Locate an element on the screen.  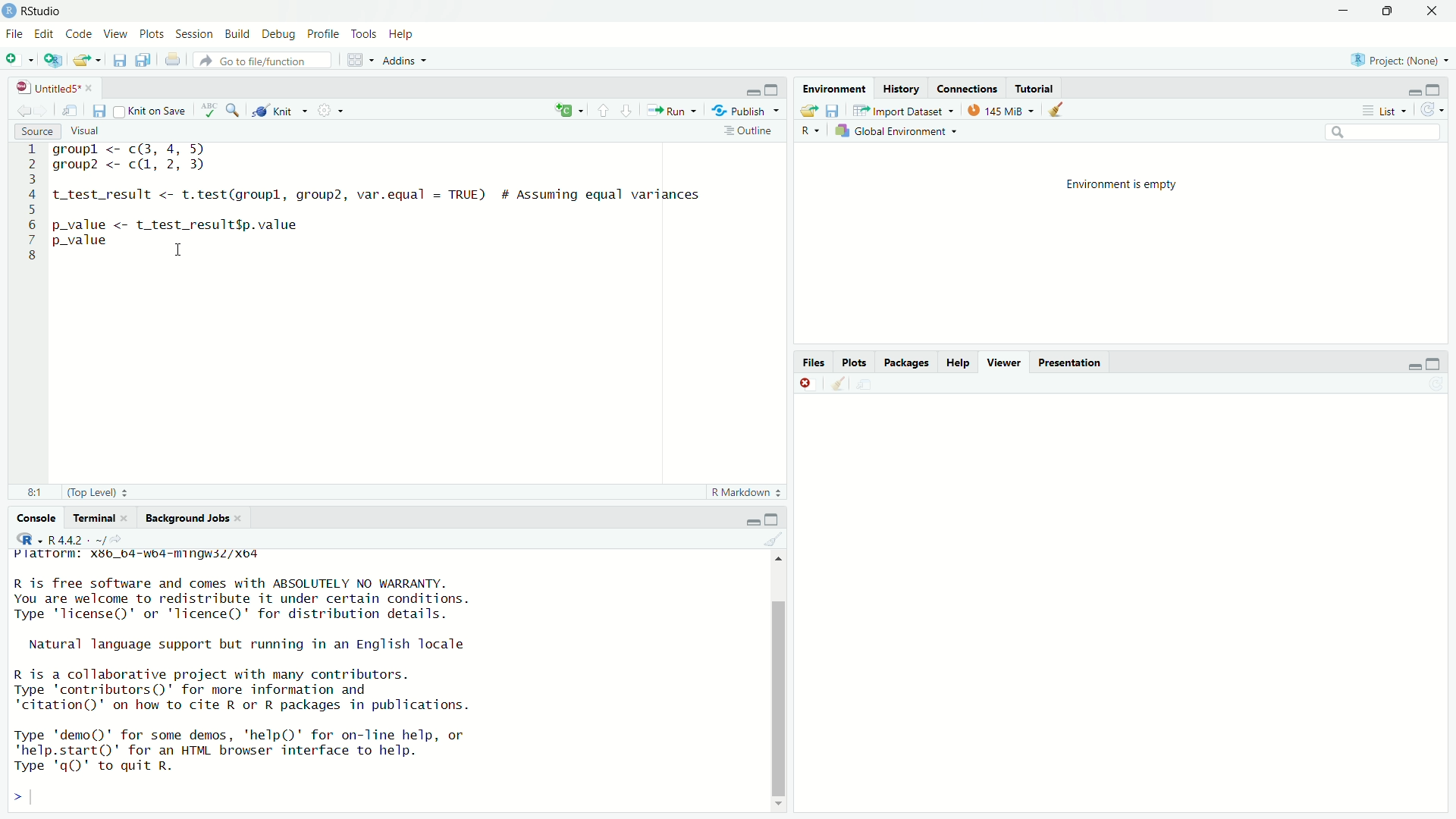
save workspace as is located at coordinates (833, 110).